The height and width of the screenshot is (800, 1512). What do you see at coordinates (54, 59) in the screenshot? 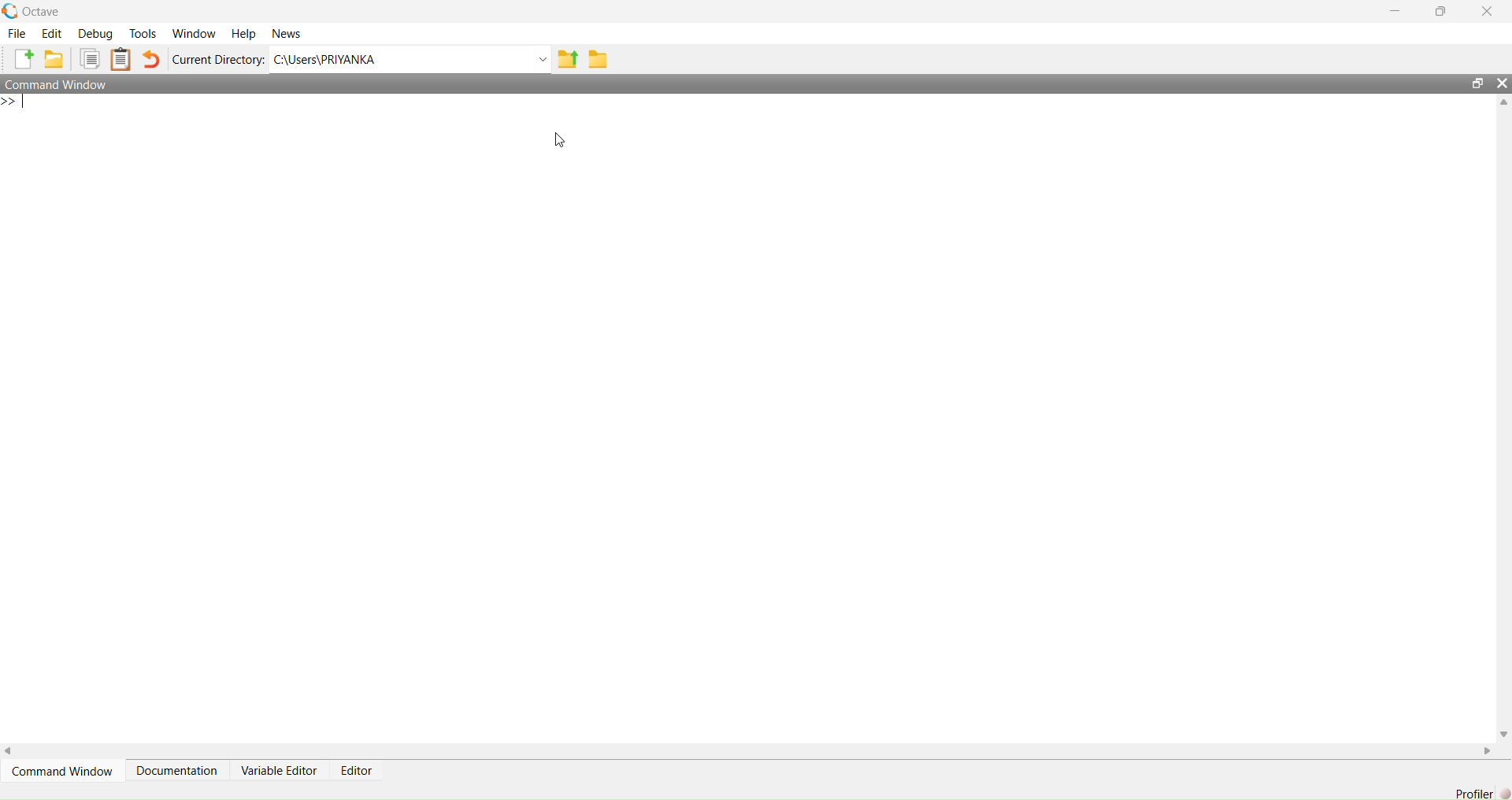
I see `Open an existing file in editor` at bounding box center [54, 59].